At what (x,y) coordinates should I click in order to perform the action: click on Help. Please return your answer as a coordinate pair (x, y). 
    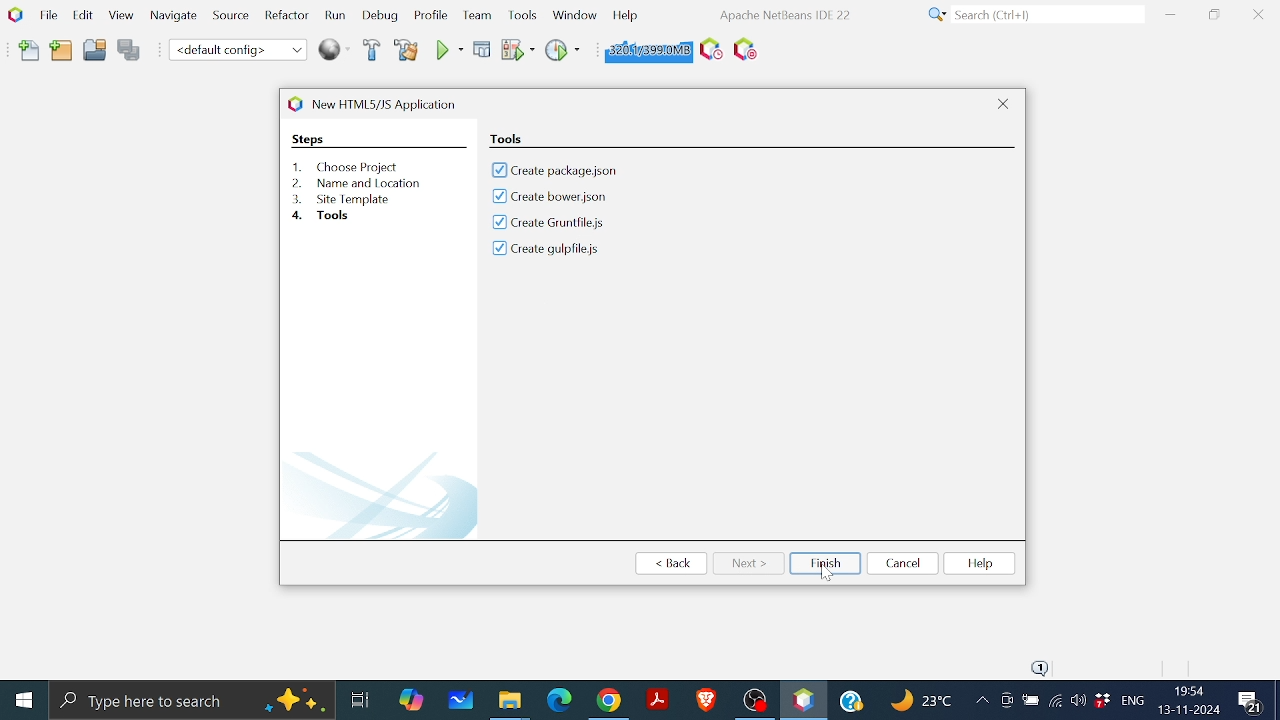
    Looking at the image, I should click on (854, 698).